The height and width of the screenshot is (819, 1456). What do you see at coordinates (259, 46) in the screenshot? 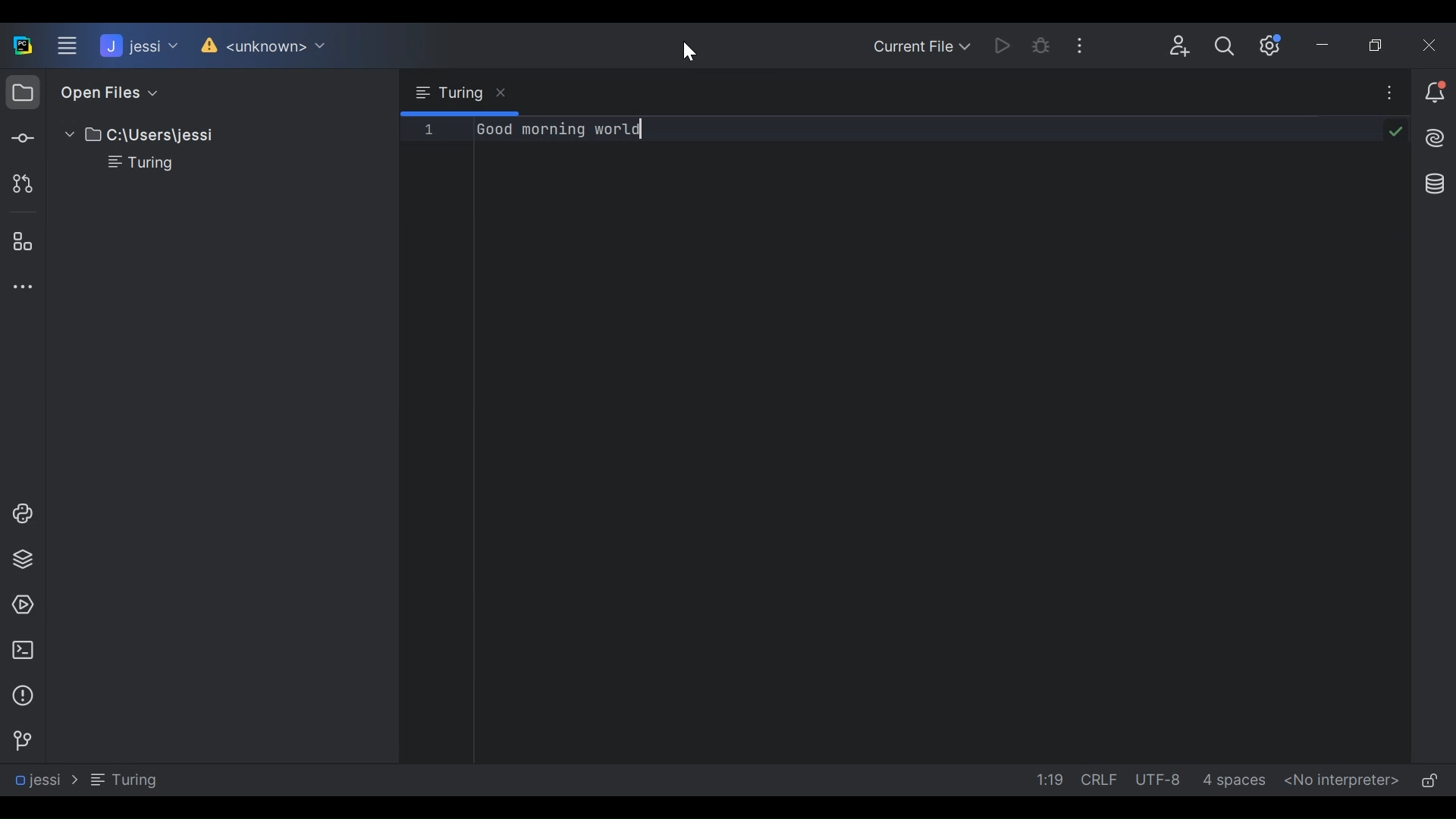
I see `Version Control` at bounding box center [259, 46].